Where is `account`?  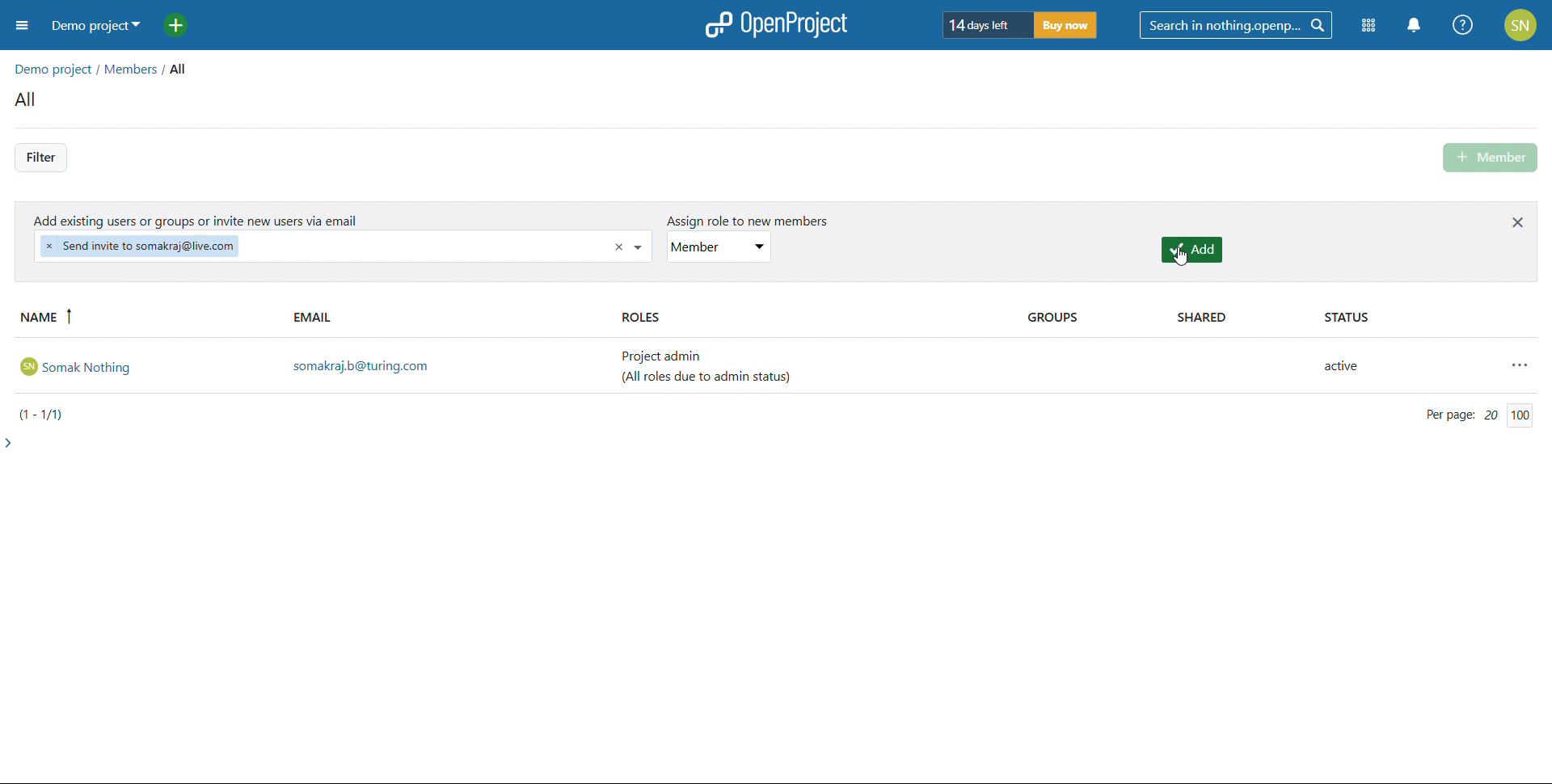
account is located at coordinates (1521, 24).